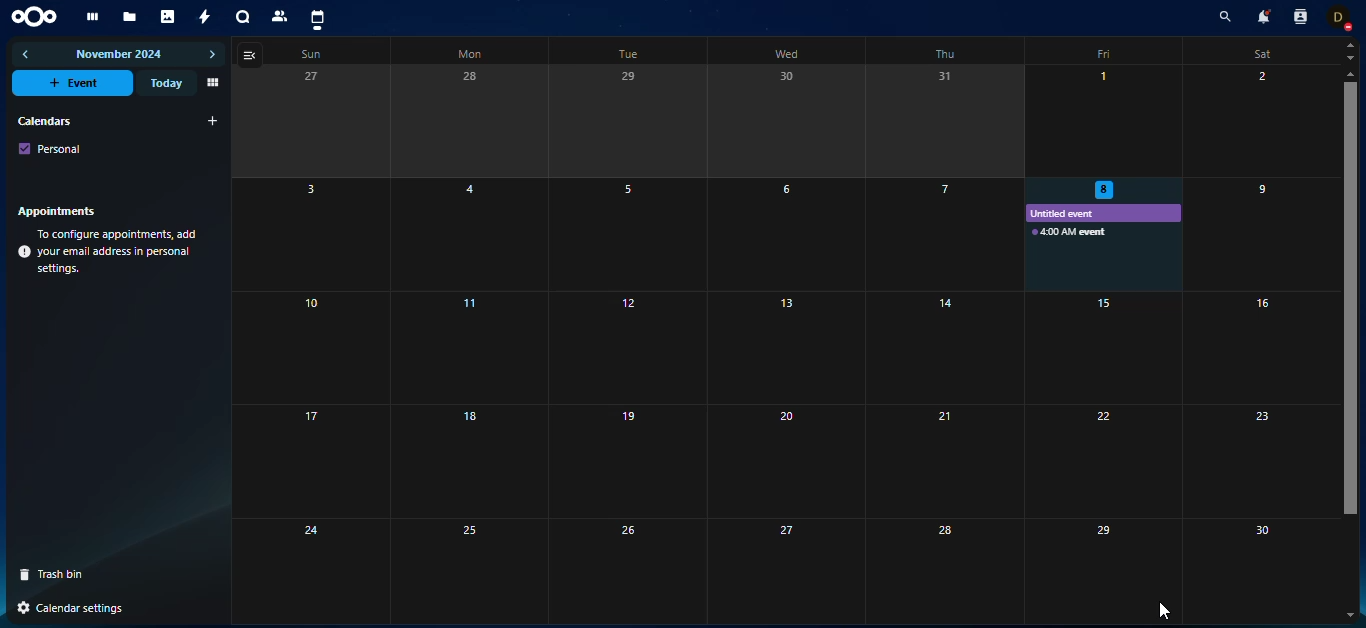 This screenshot has width=1366, height=628. Describe the element at coordinates (623, 122) in the screenshot. I see `29` at that location.